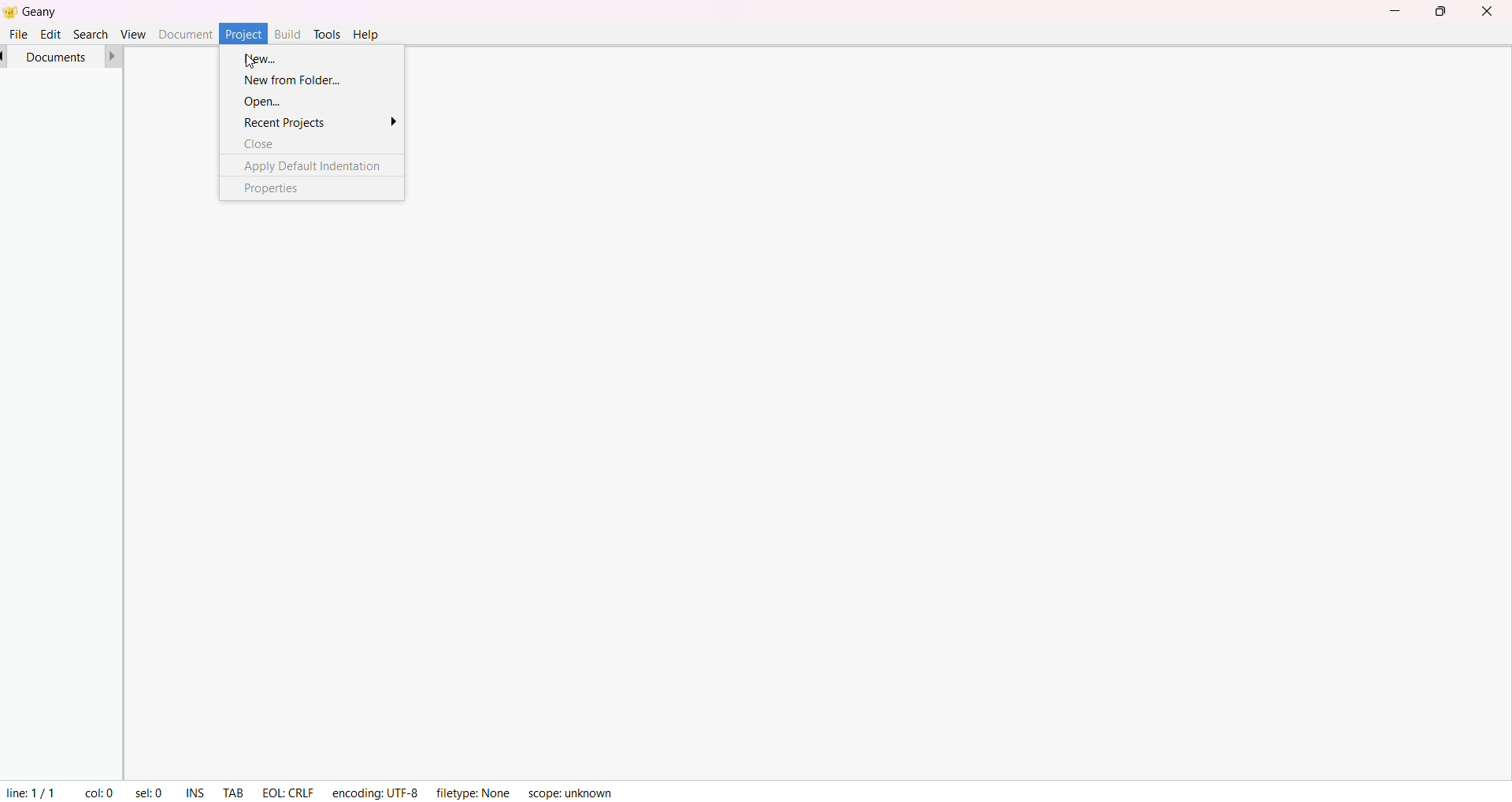 The image size is (1512, 802). Describe the element at coordinates (326, 34) in the screenshot. I see `tools` at that location.